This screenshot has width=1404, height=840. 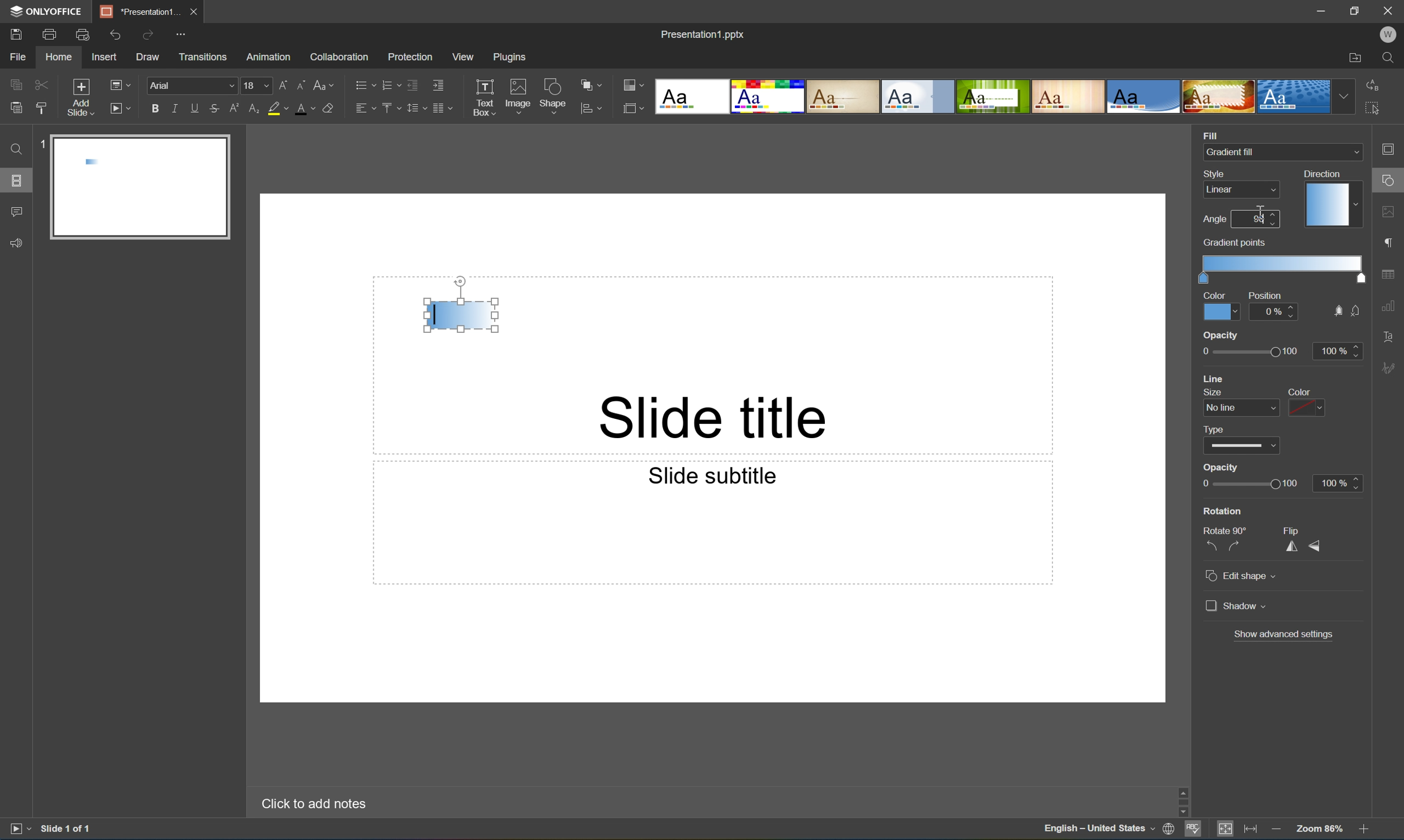 I want to click on paragraph settings, so click(x=1391, y=241).